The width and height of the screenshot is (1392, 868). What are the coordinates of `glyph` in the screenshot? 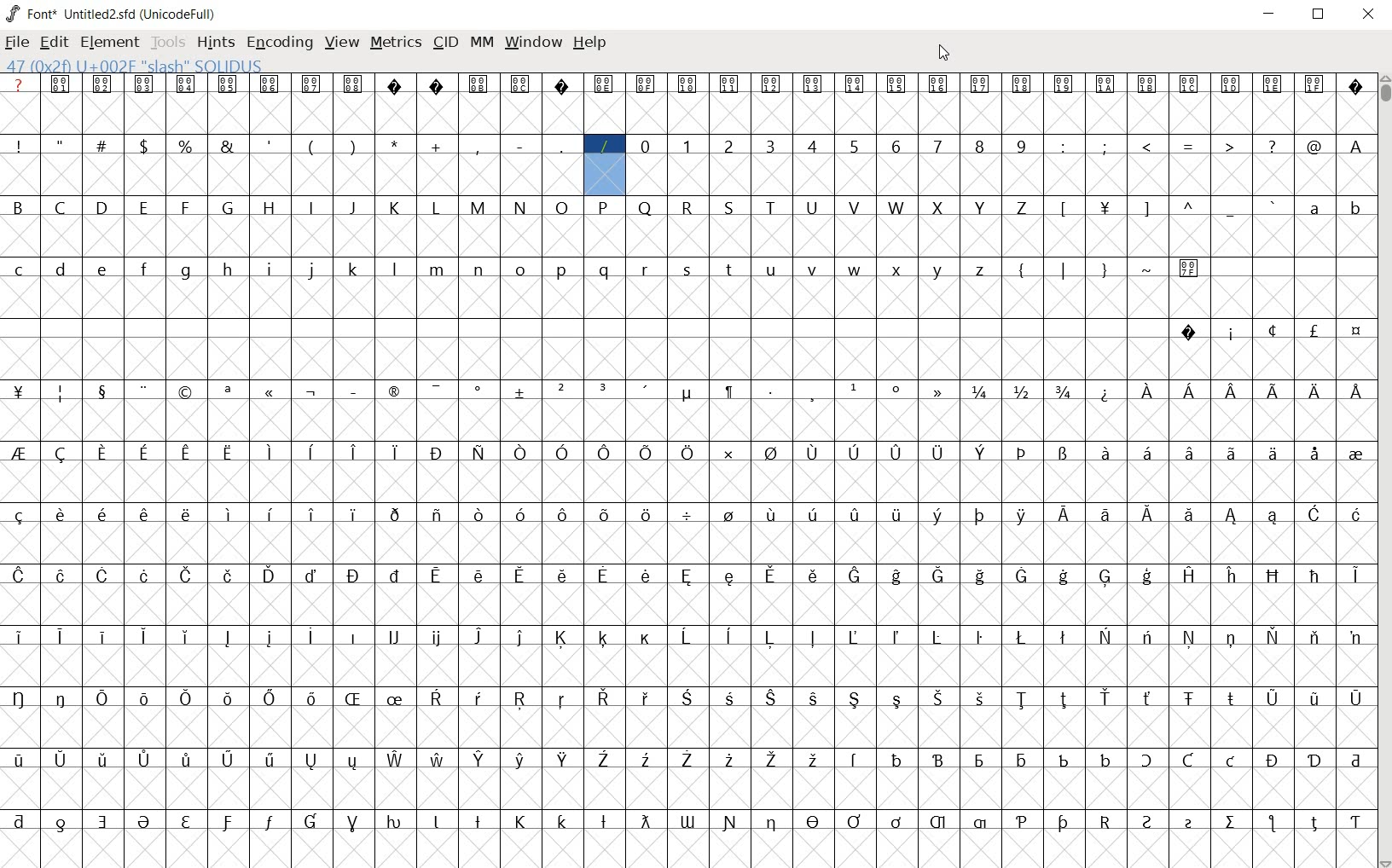 It's located at (229, 576).